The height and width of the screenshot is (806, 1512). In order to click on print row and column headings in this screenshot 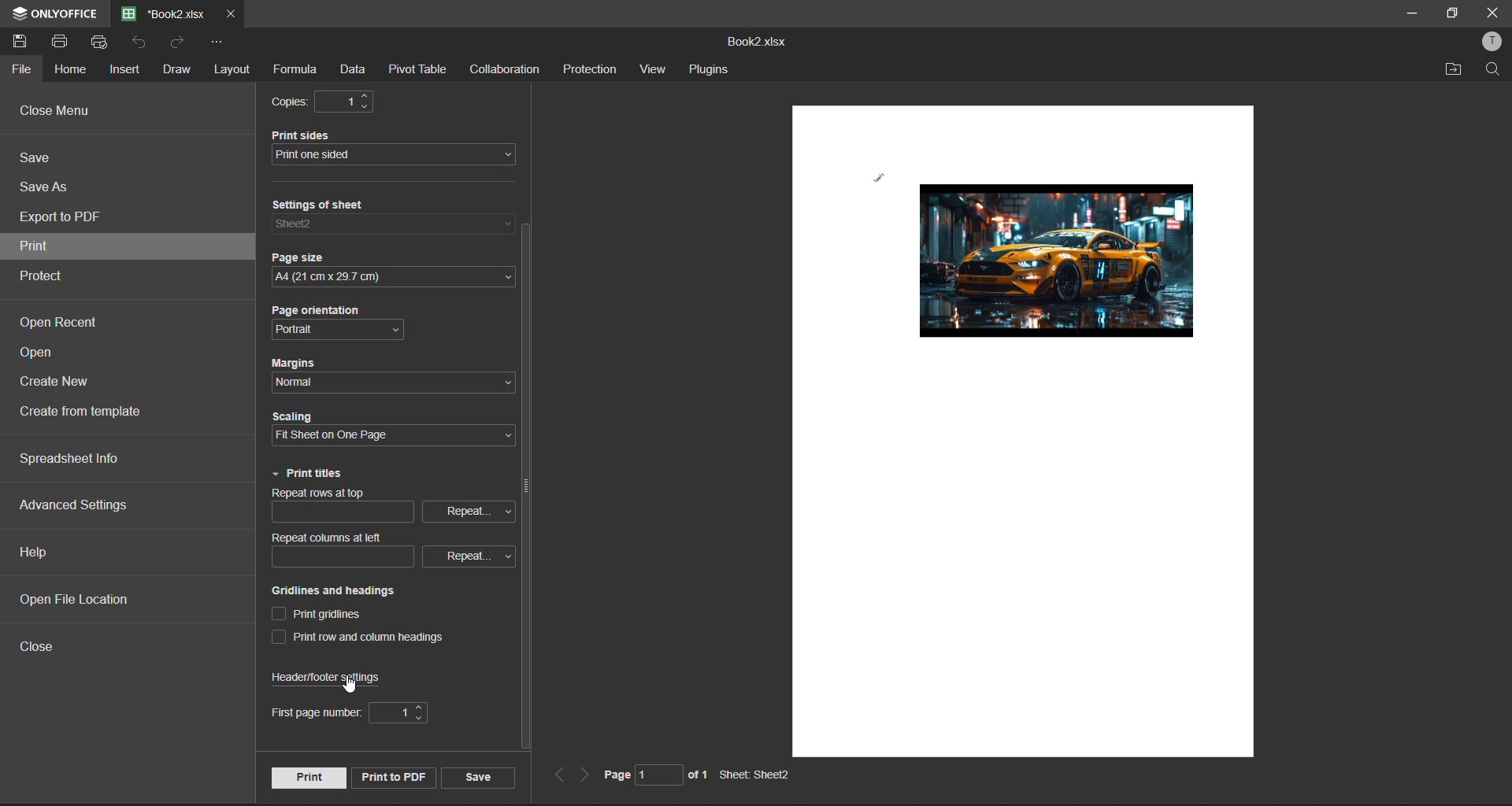, I will do `click(365, 638)`.